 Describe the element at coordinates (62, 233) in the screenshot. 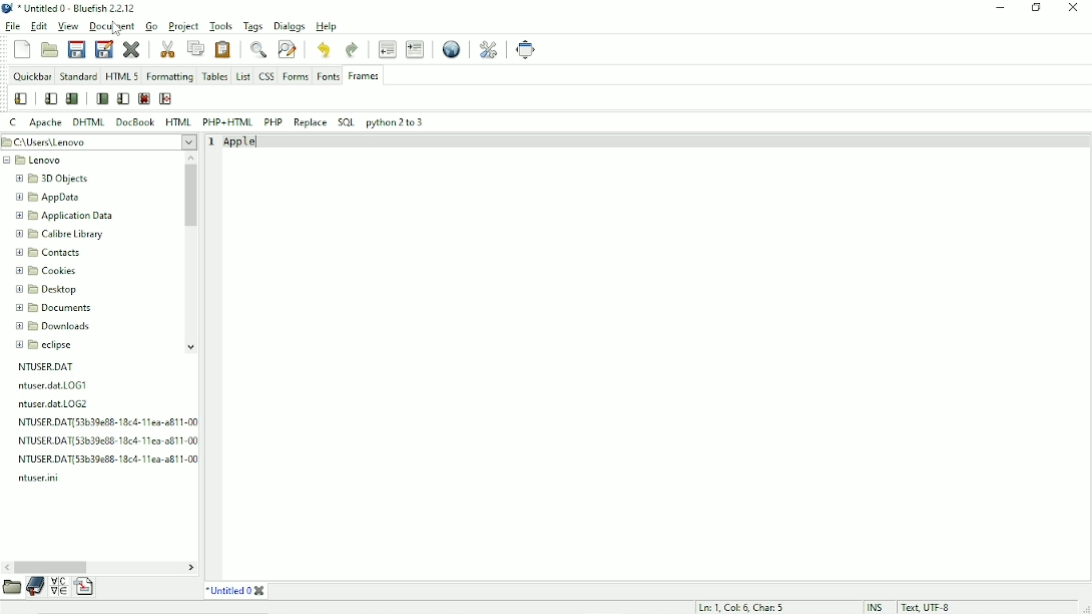

I see `Calibre library` at that location.